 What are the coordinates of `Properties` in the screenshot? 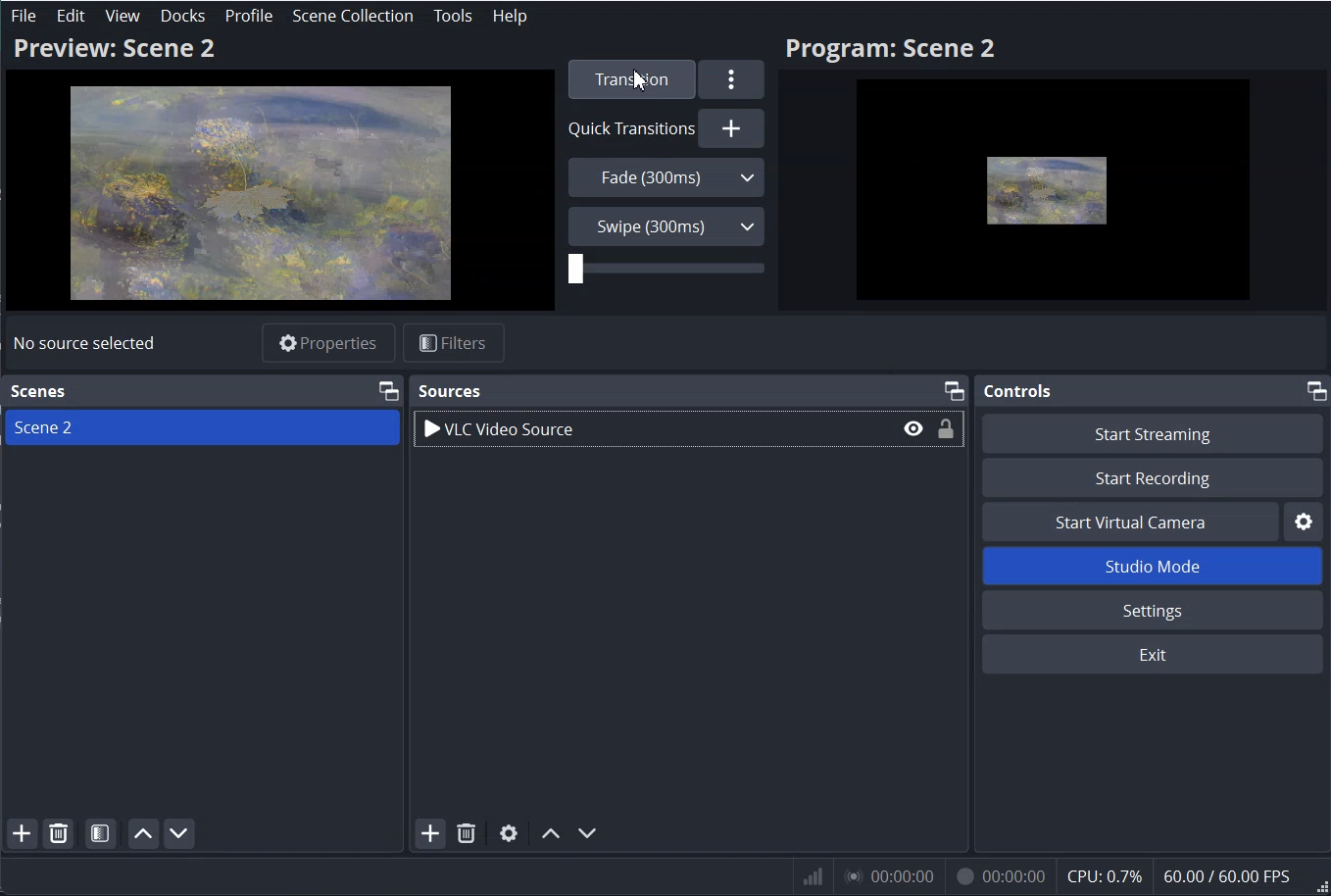 It's located at (327, 341).